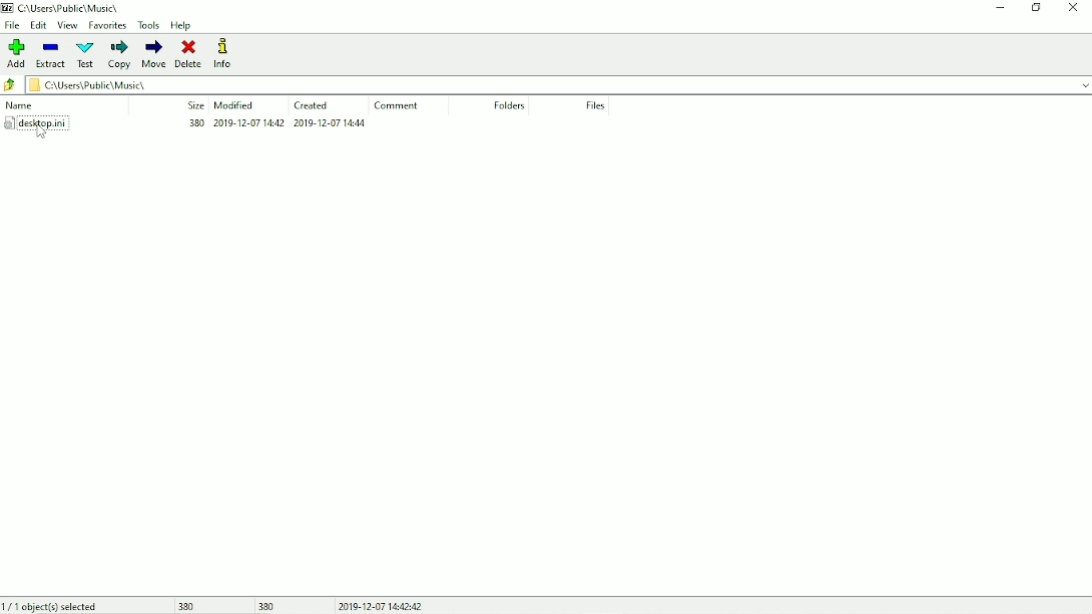 The width and height of the screenshot is (1092, 614). I want to click on Info, so click(222, 53).